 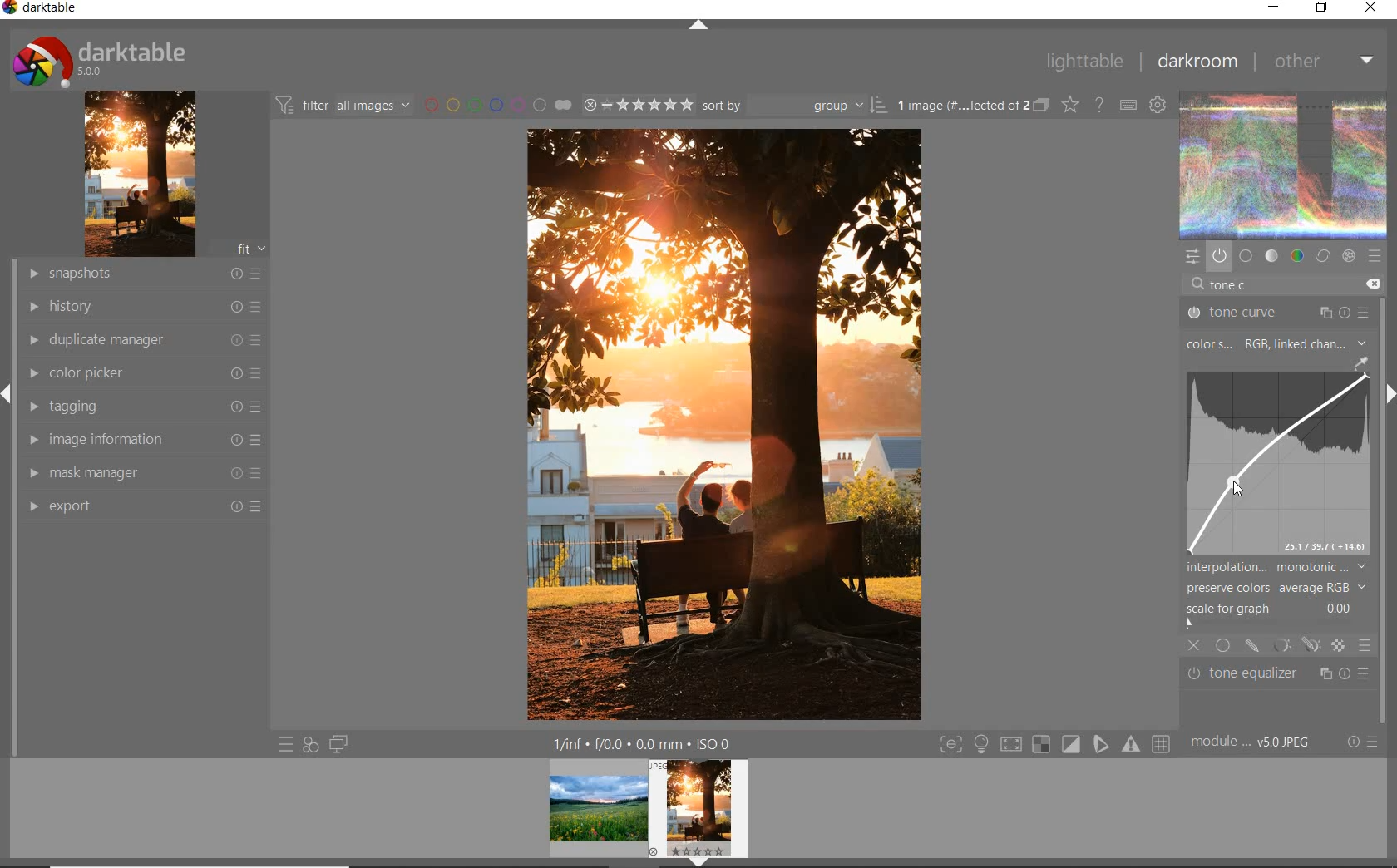 What do you see at coordinates (139, 273) in the screenshot?
I see `snapshots` at bounding box center [139, 273].